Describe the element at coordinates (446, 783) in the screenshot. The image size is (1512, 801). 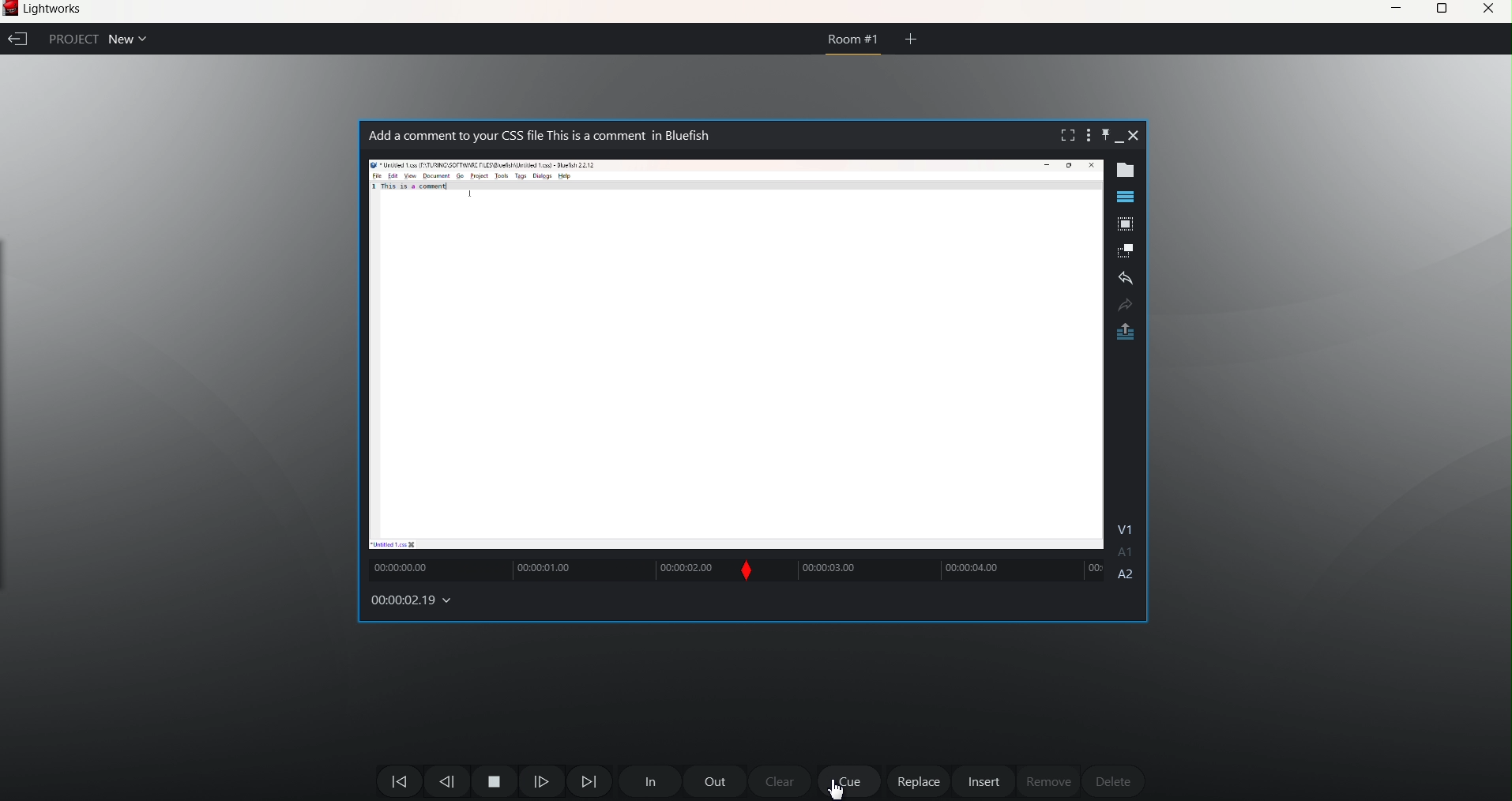
I see `move one frame backward` at that location.